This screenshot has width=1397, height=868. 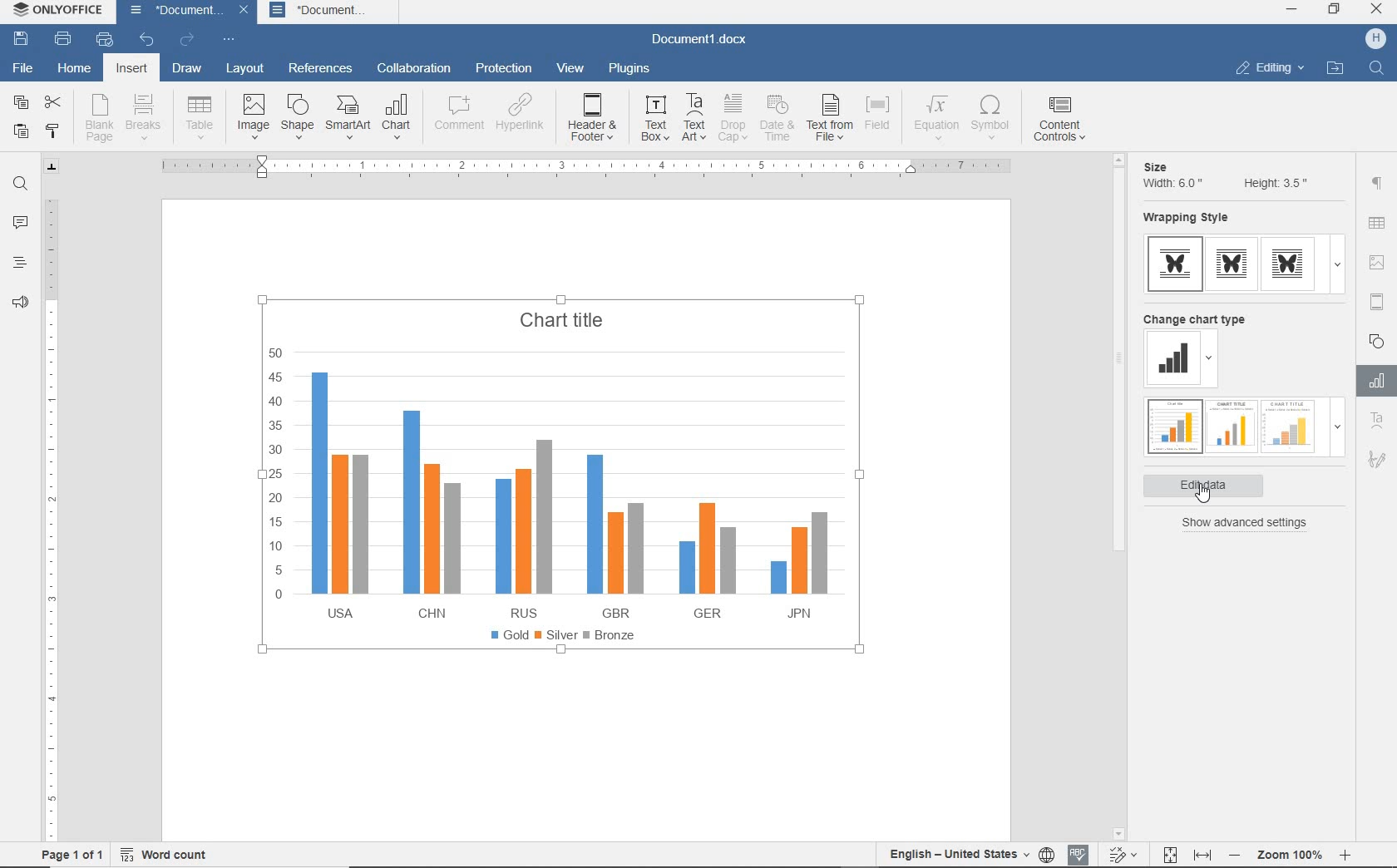 What do you see at coordinates (1172, 183) in the screenshot?
I see `Width: 6.0"` at bounding box center [1172, 183].